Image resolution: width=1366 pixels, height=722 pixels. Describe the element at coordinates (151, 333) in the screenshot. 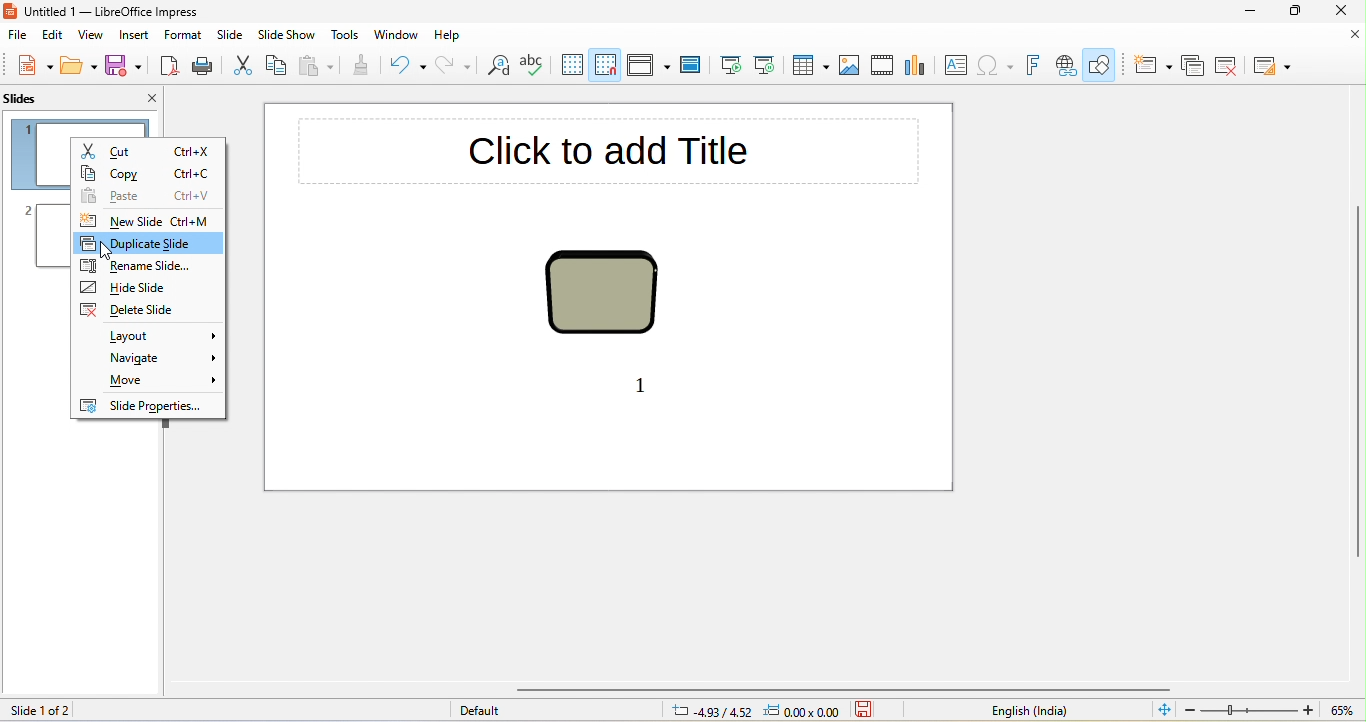

I see `layout` at that location.